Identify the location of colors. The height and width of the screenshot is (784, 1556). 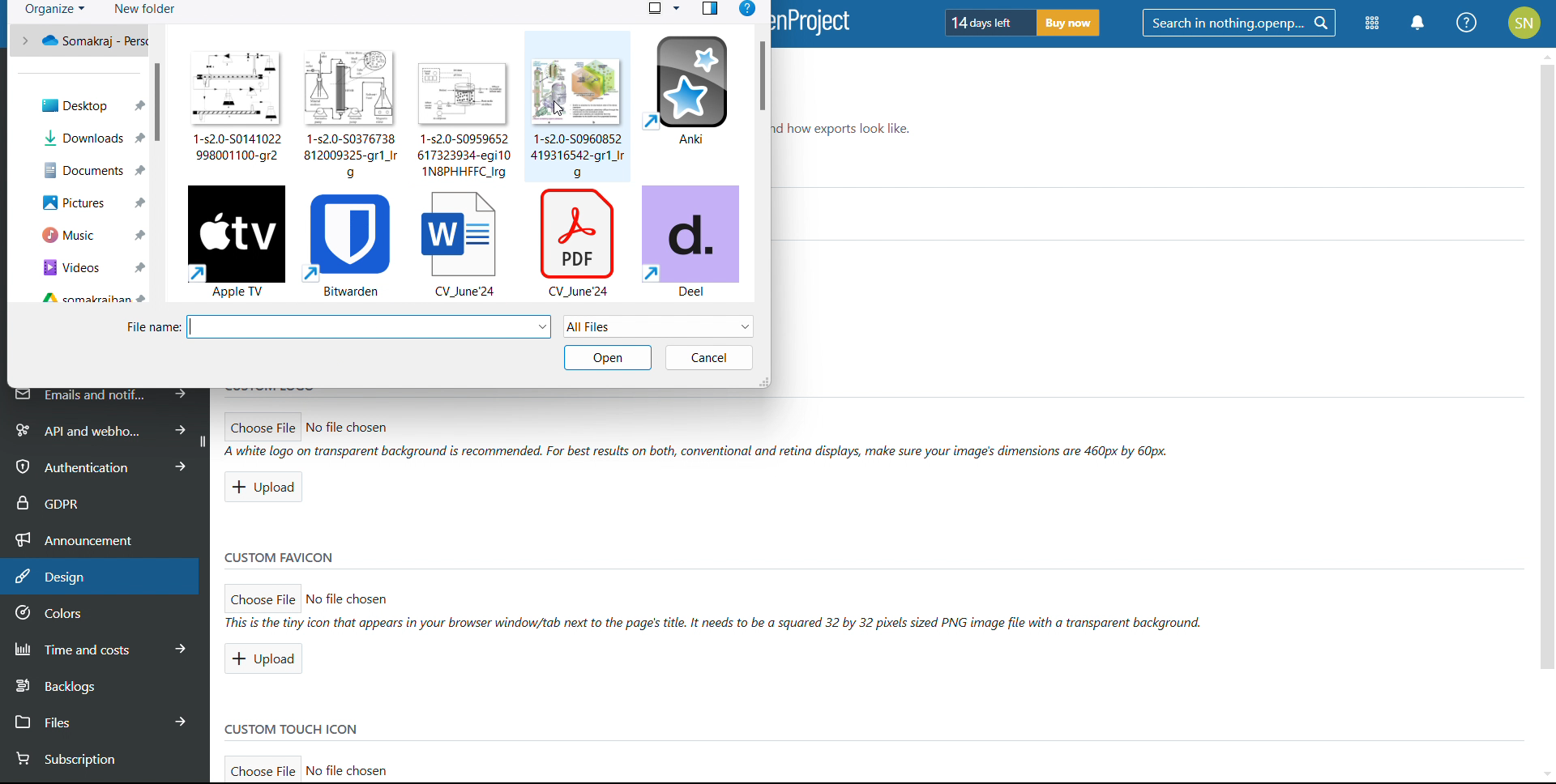
(102, 614).